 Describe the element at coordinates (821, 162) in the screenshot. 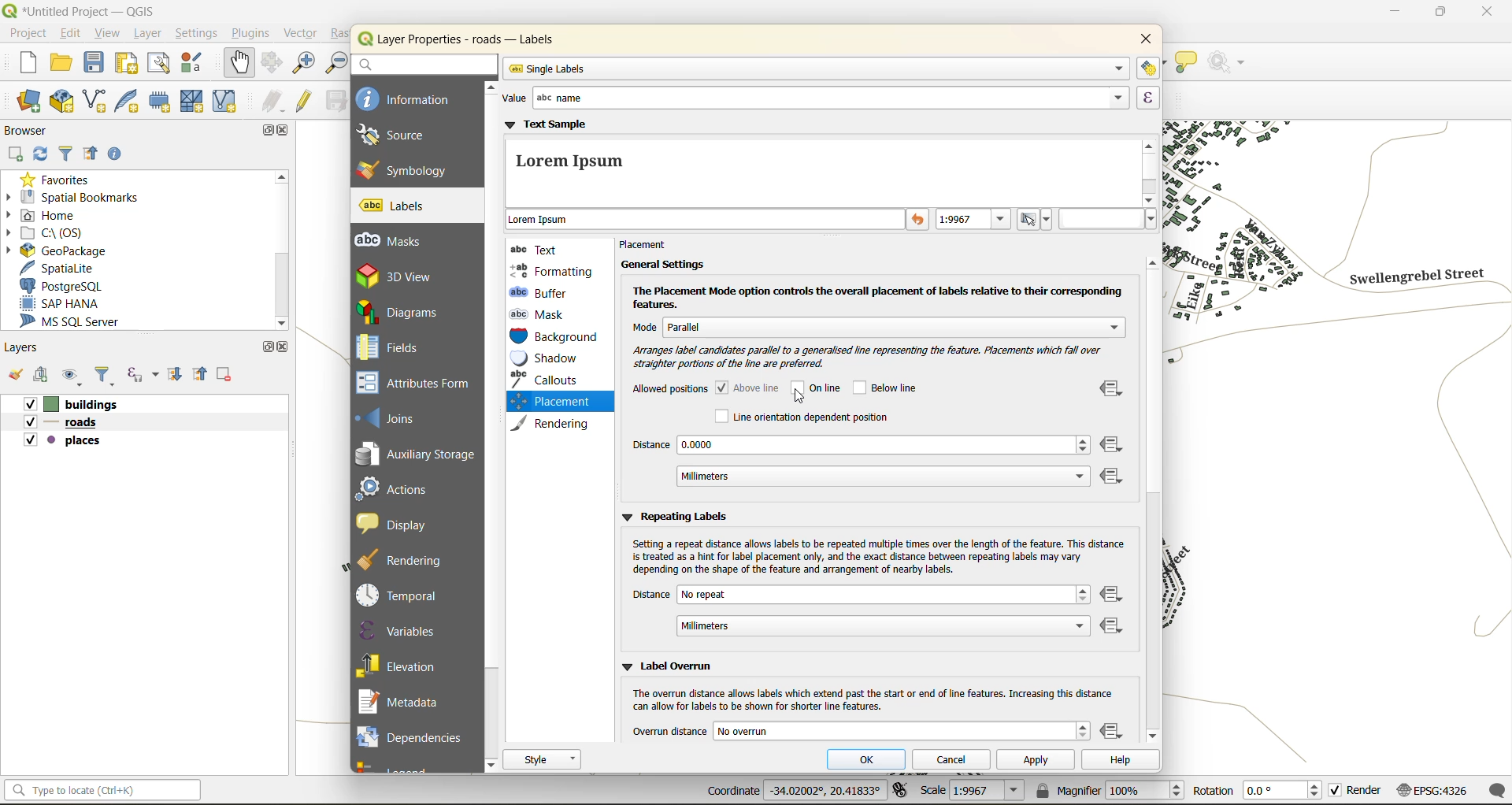

I see `text sample` at that location.